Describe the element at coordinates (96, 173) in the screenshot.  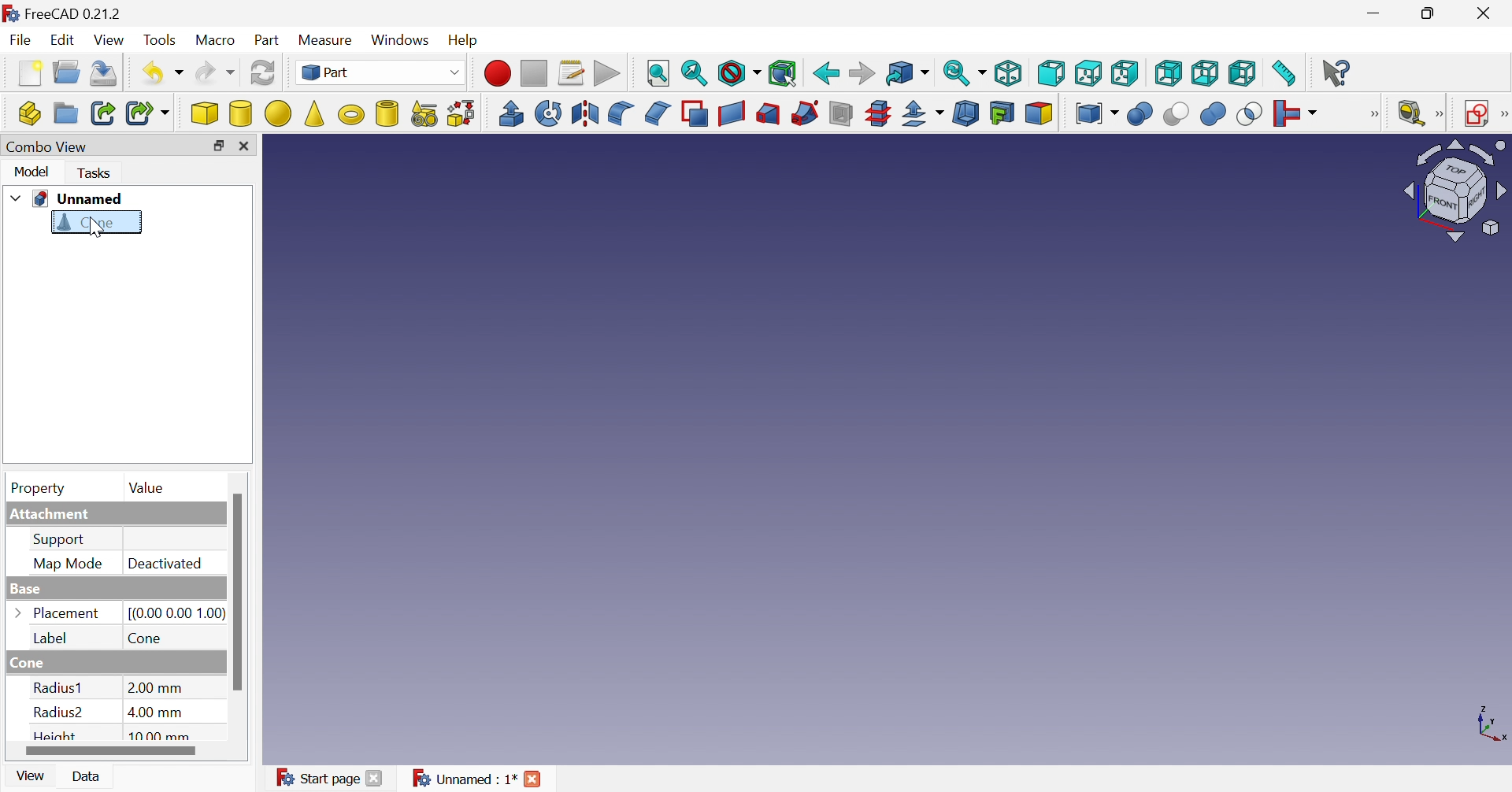
I see `Tasks` at that location.